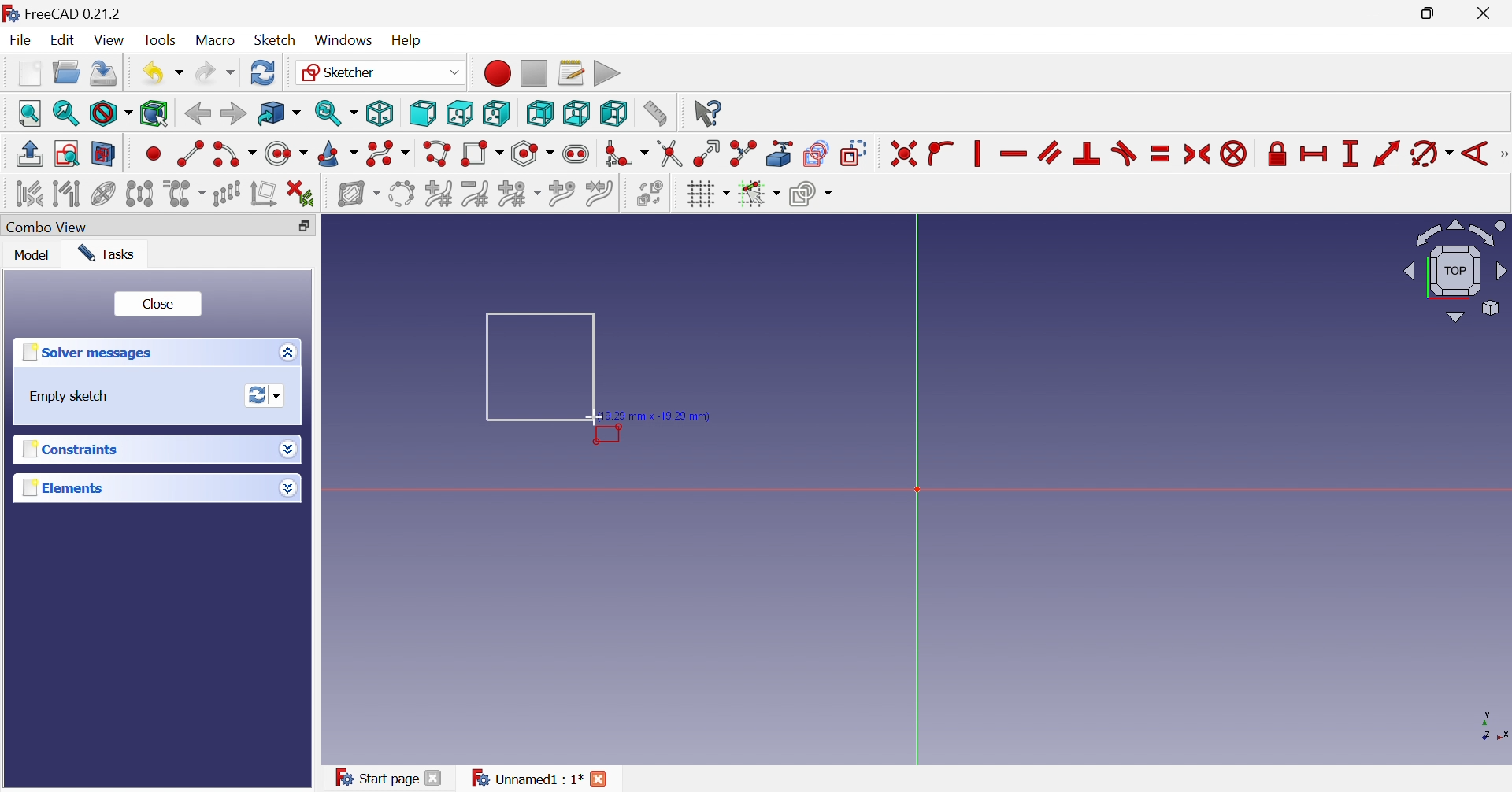 Image resolution: width=1512 pixels, height=792 pixels. What do you see at coordinates (562, 196) in the screenshot?
I see `Insert knot` at bounding box center [562, 196].